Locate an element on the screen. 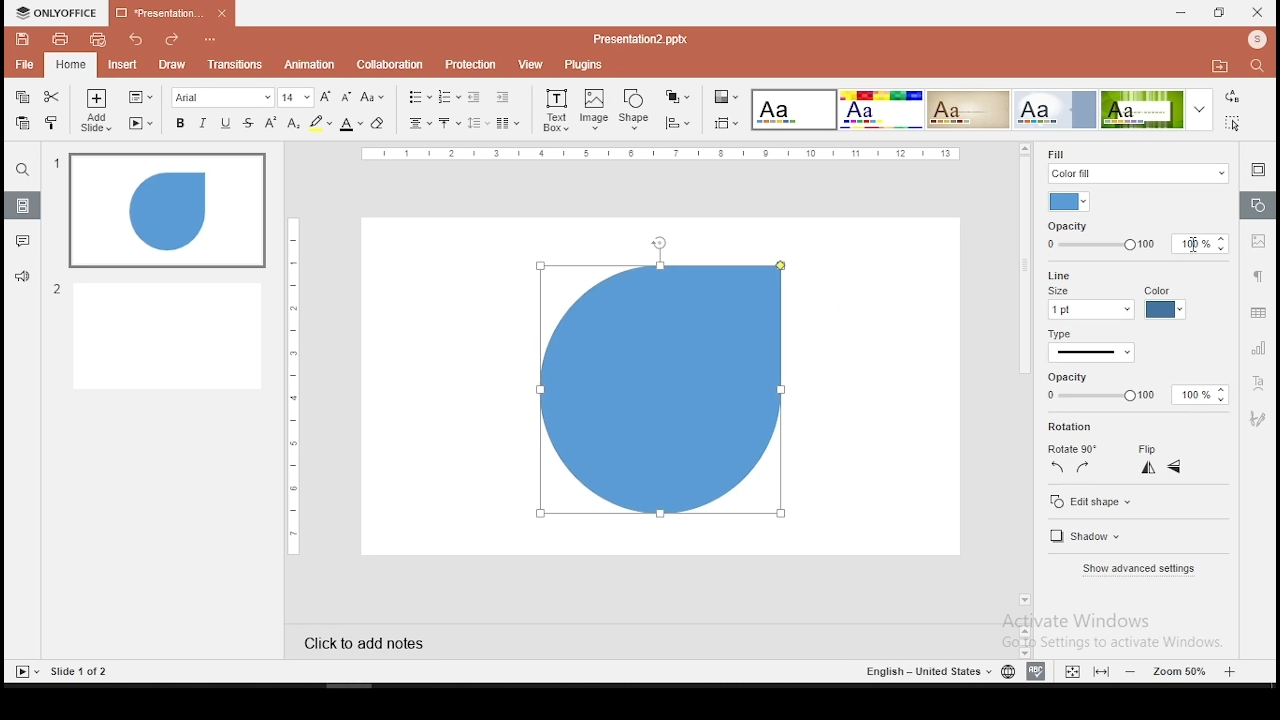 The height and width of the screenshot is (720, 1280). animation is located at coordinates (311, 64).